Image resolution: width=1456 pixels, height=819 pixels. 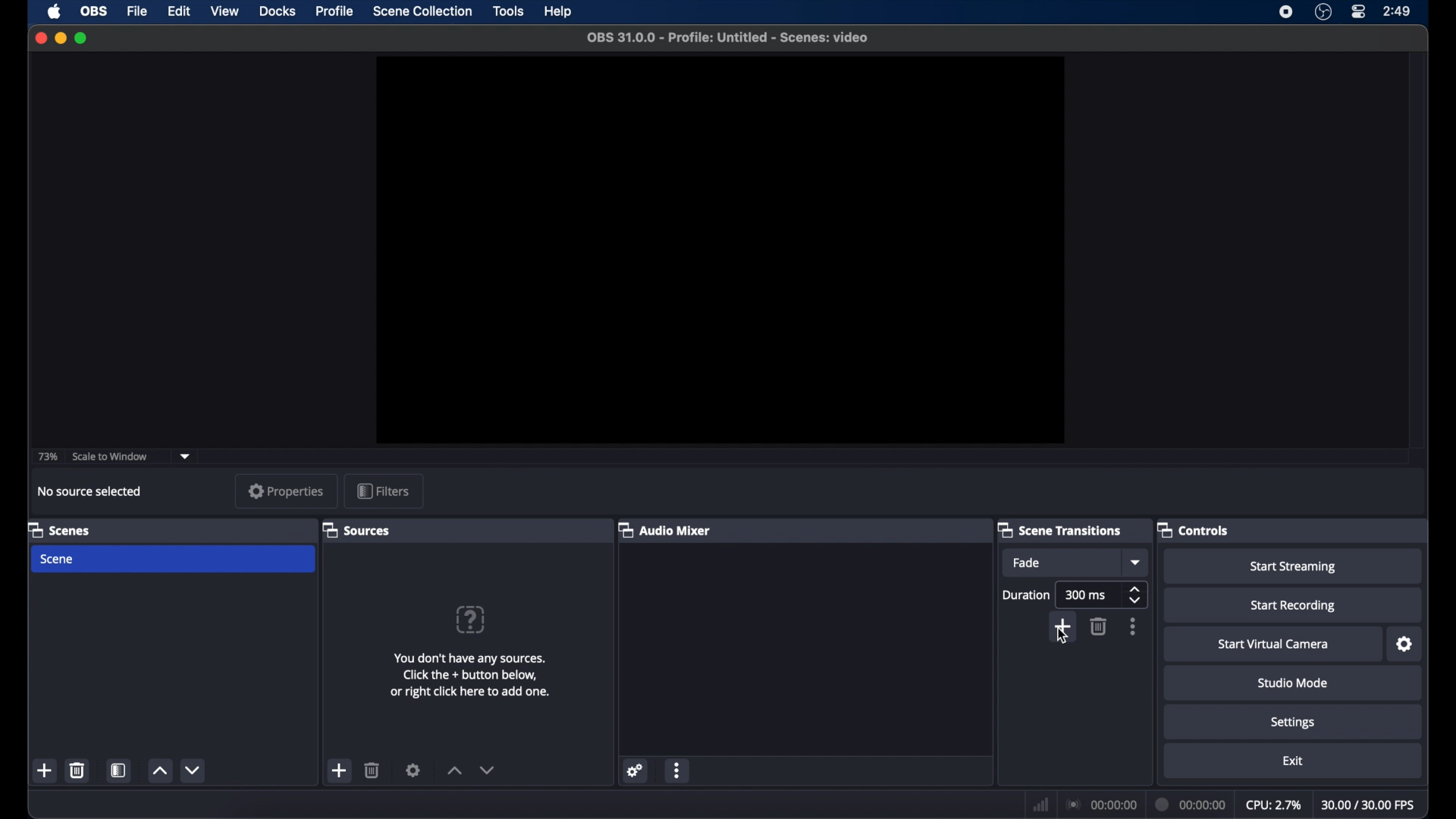 What do you see at coordinates (455, 770) in the screenshot?
I see `increment` at bounding box center [455, 770].